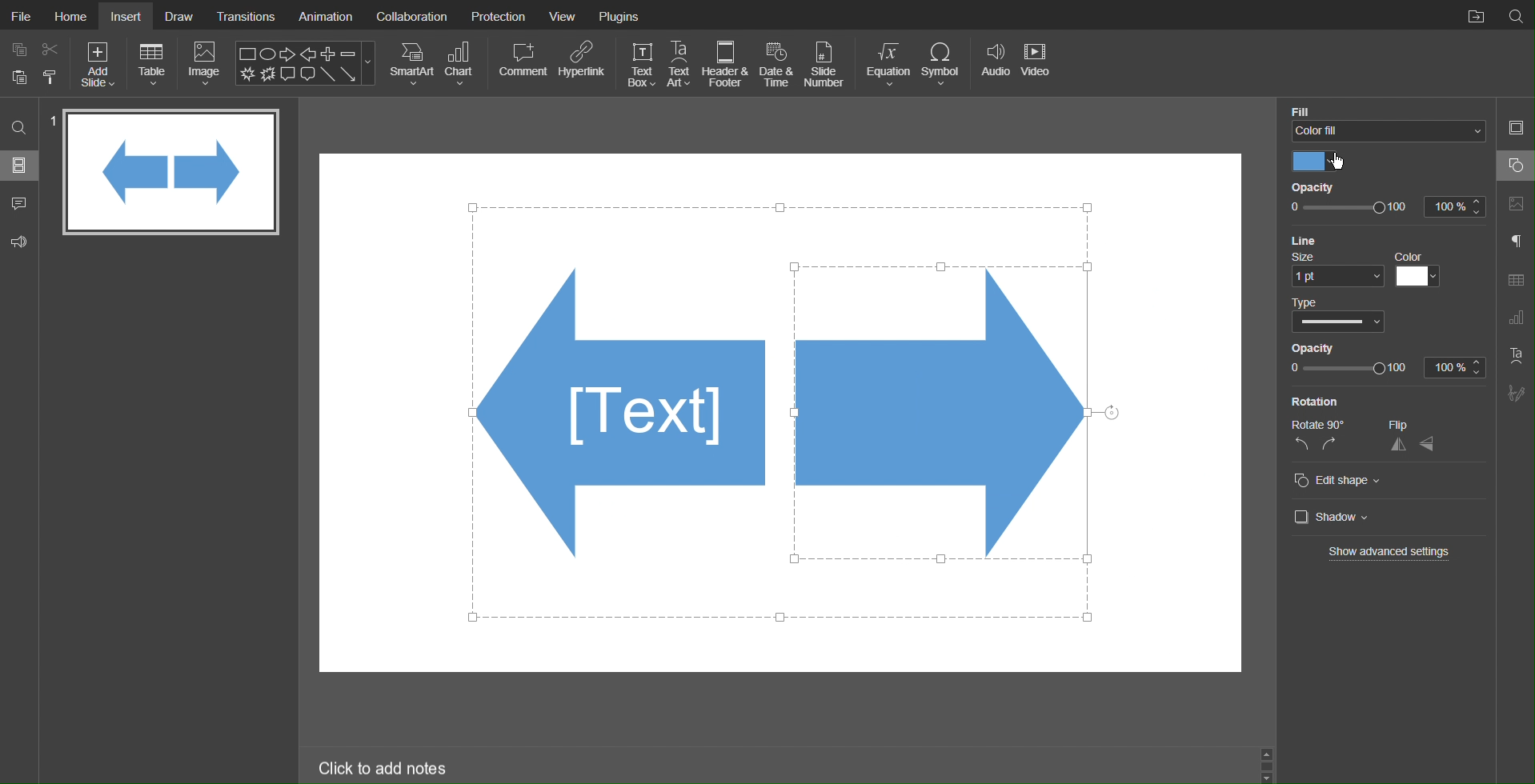  Describe the element at coordinates (1517, 128) in the screenshot. I see `Slide Settings` at that location.